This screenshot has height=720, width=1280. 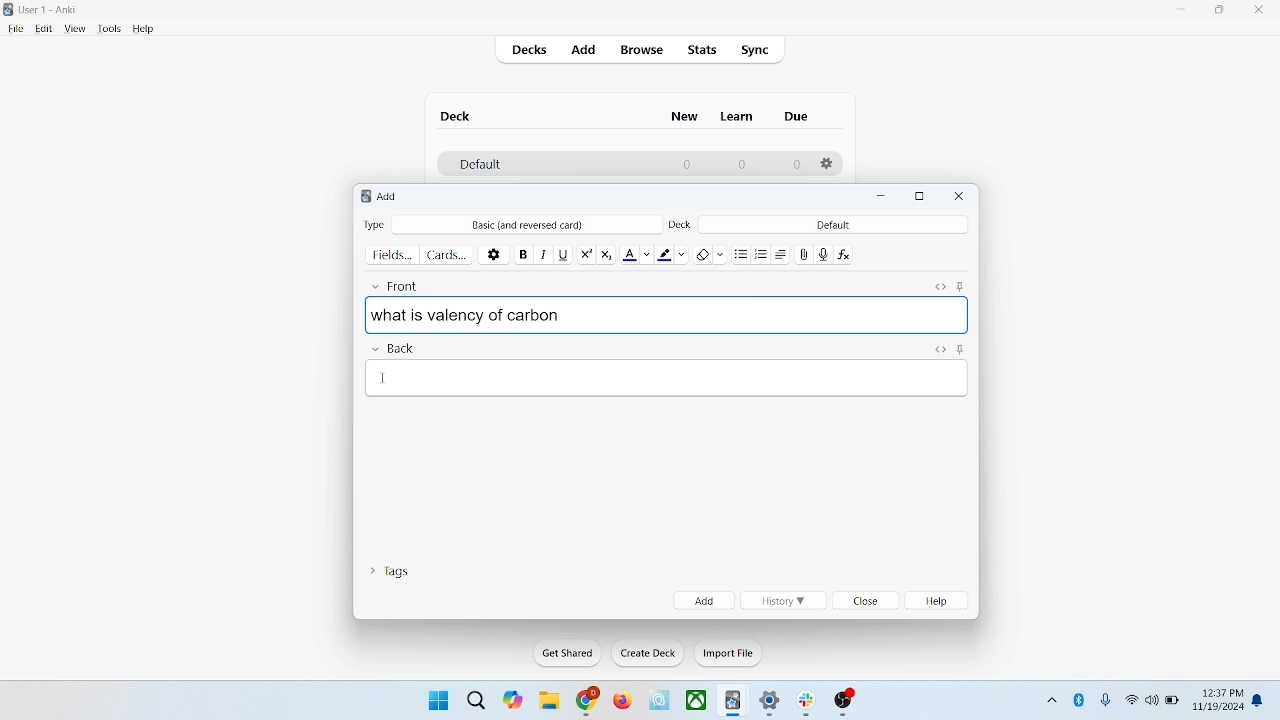 I want to click on help, so click(x=144, y=30).